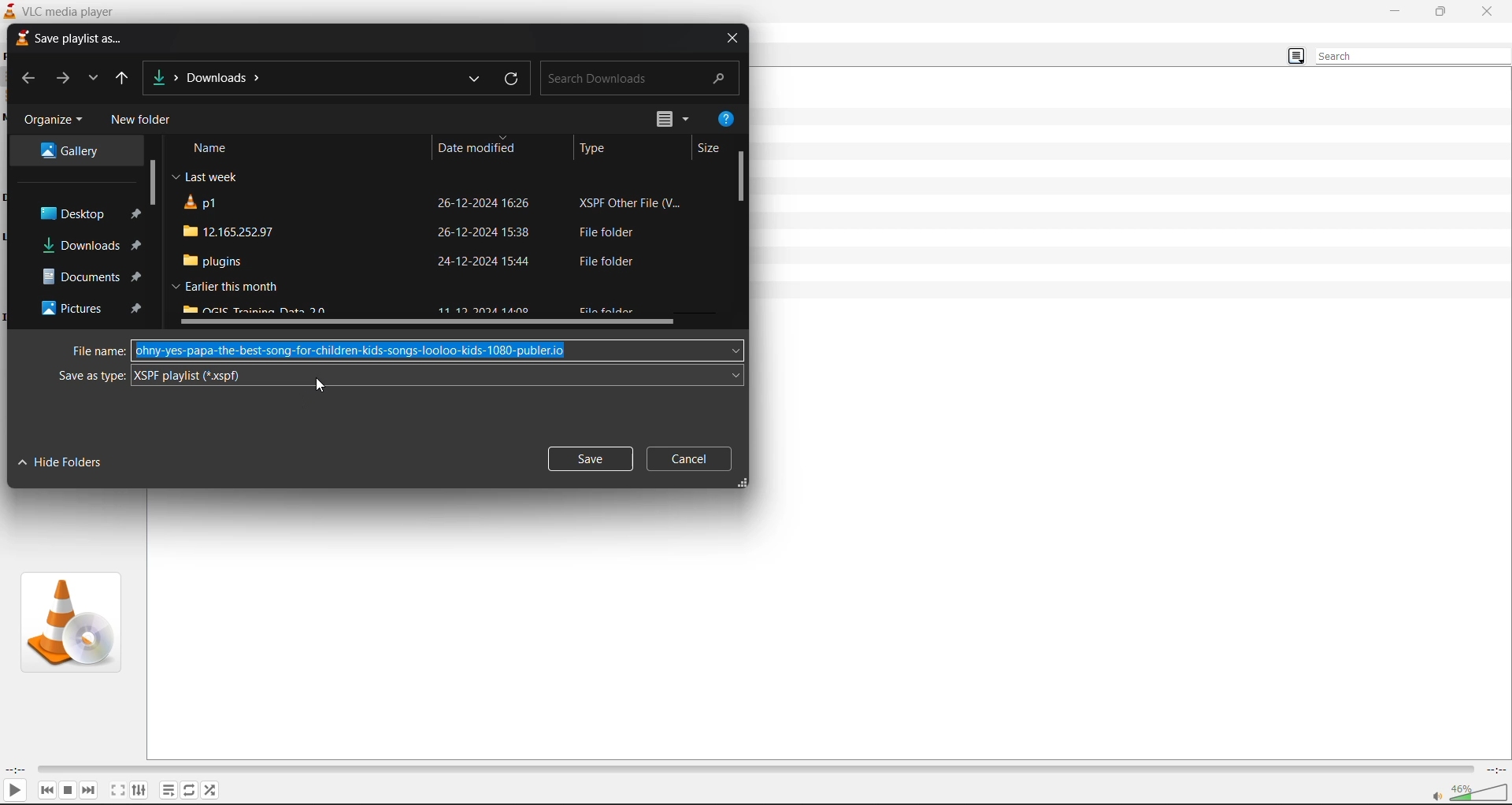 The height and width of the screenshot is (805, 1512). I want to click on save a s type, so click(90, 377).